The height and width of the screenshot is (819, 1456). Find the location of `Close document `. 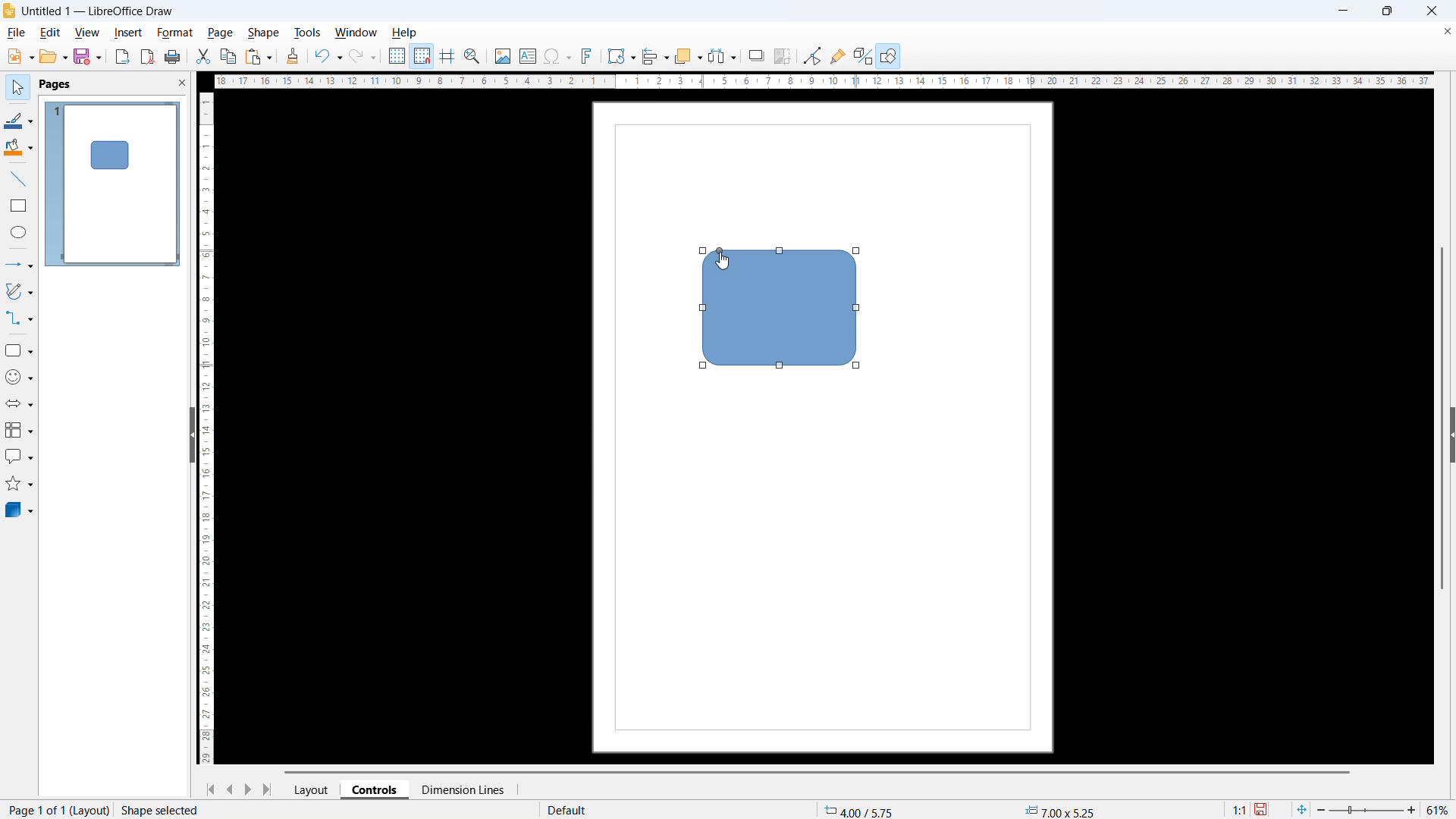

Close document  is located at coordinates (1446, 33).